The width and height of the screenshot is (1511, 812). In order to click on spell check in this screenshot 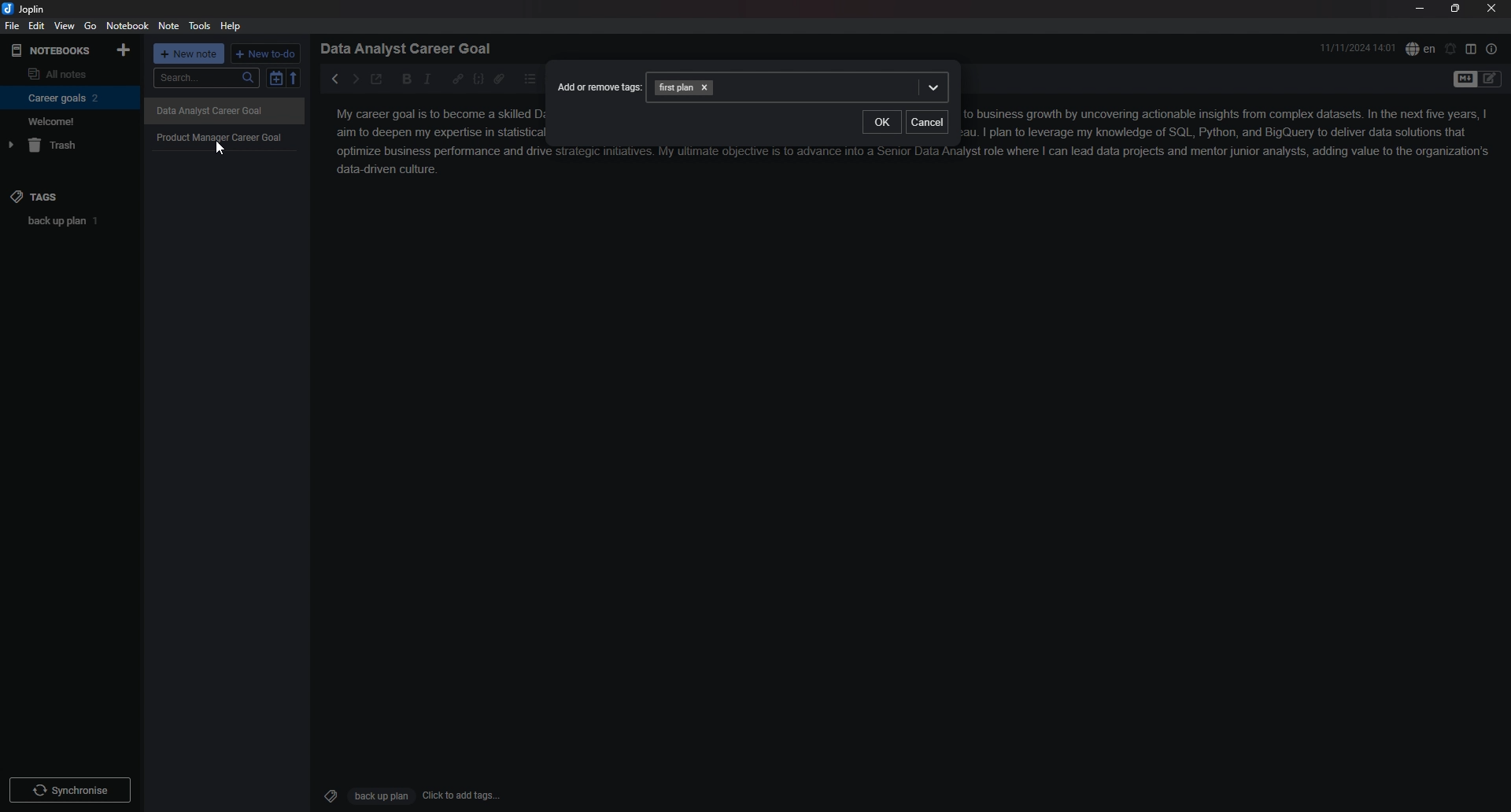, I will do `click(1420, 49)`.